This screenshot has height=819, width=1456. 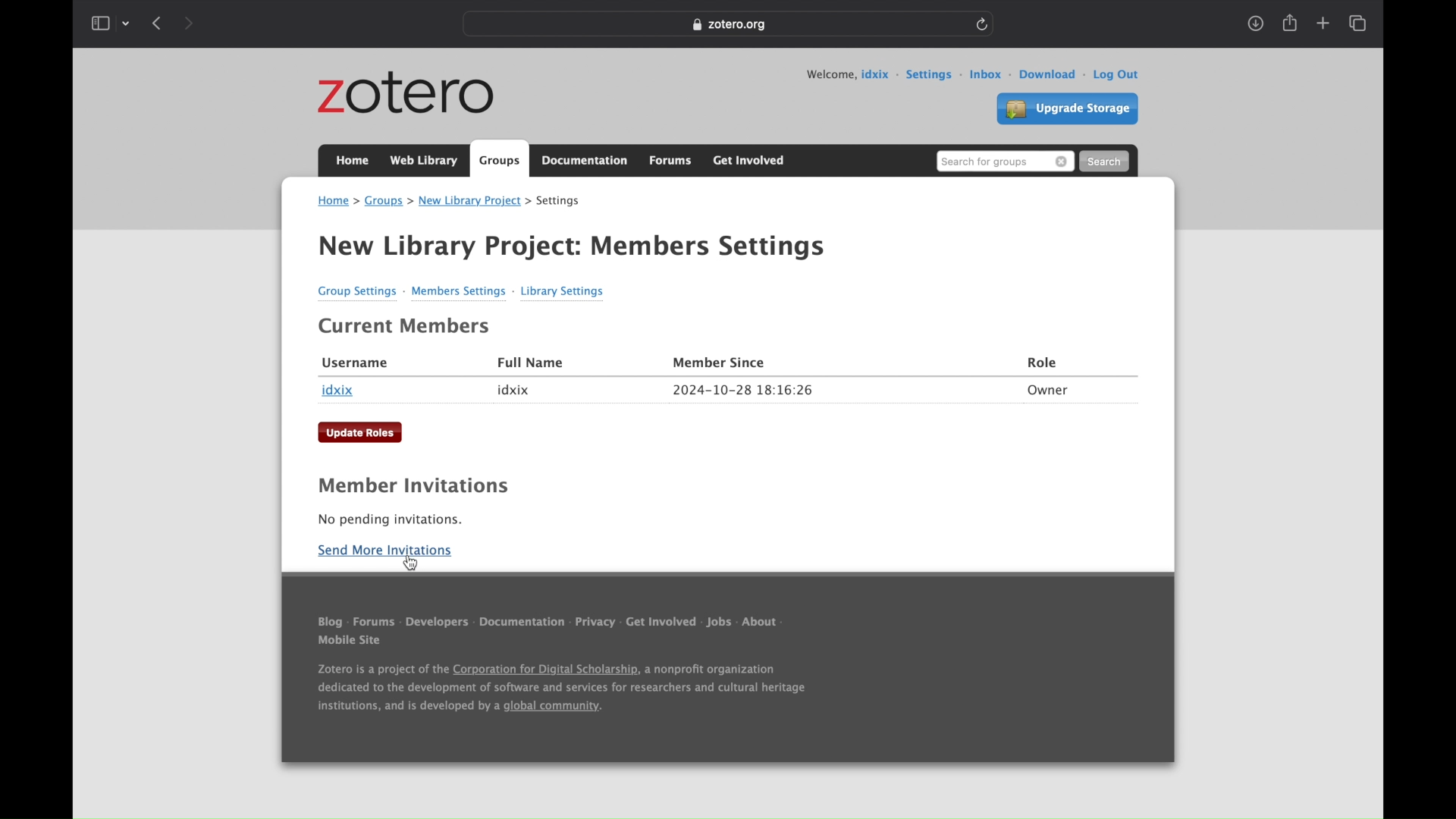 I want to click on get involved, so click(x=661, y=621).